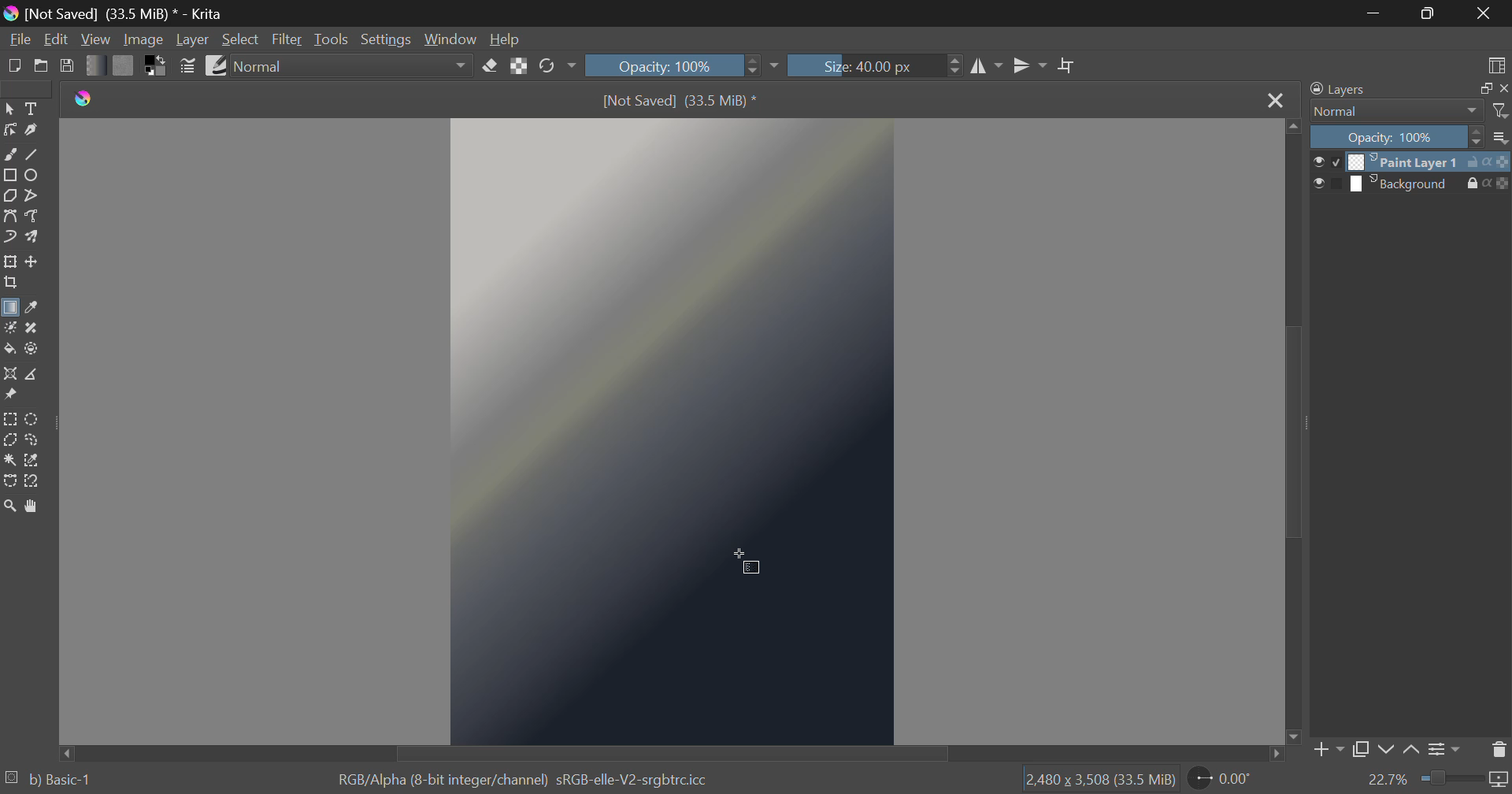 This screenshot has height=794, width=1512. What do you see at coordinates (32, 262) in the screenshot?
I see `Move Layer` at bounding box center [32, 262].